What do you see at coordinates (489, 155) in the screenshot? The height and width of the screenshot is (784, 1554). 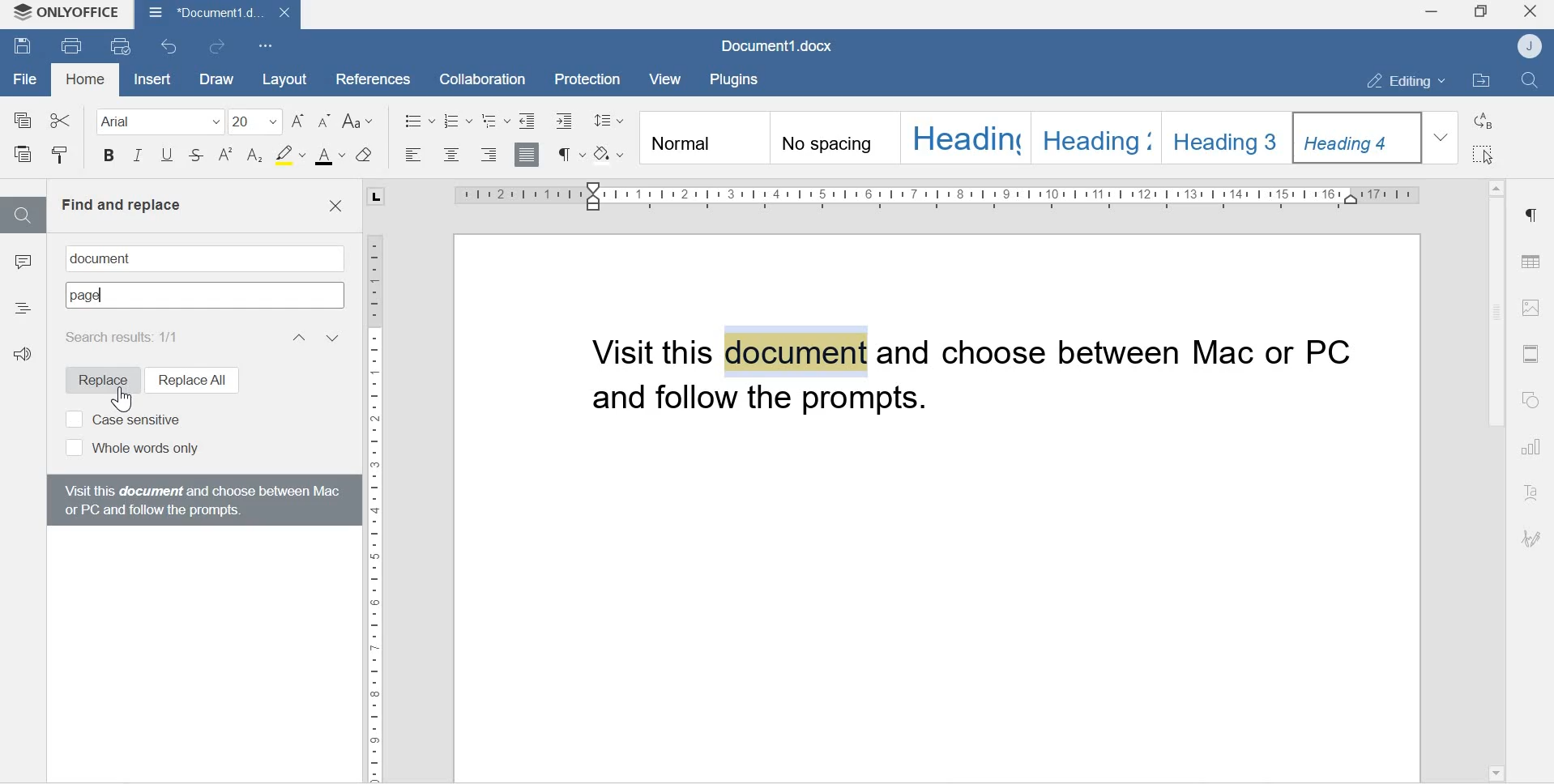 I see `Align right` at bounding box center [489, 155].